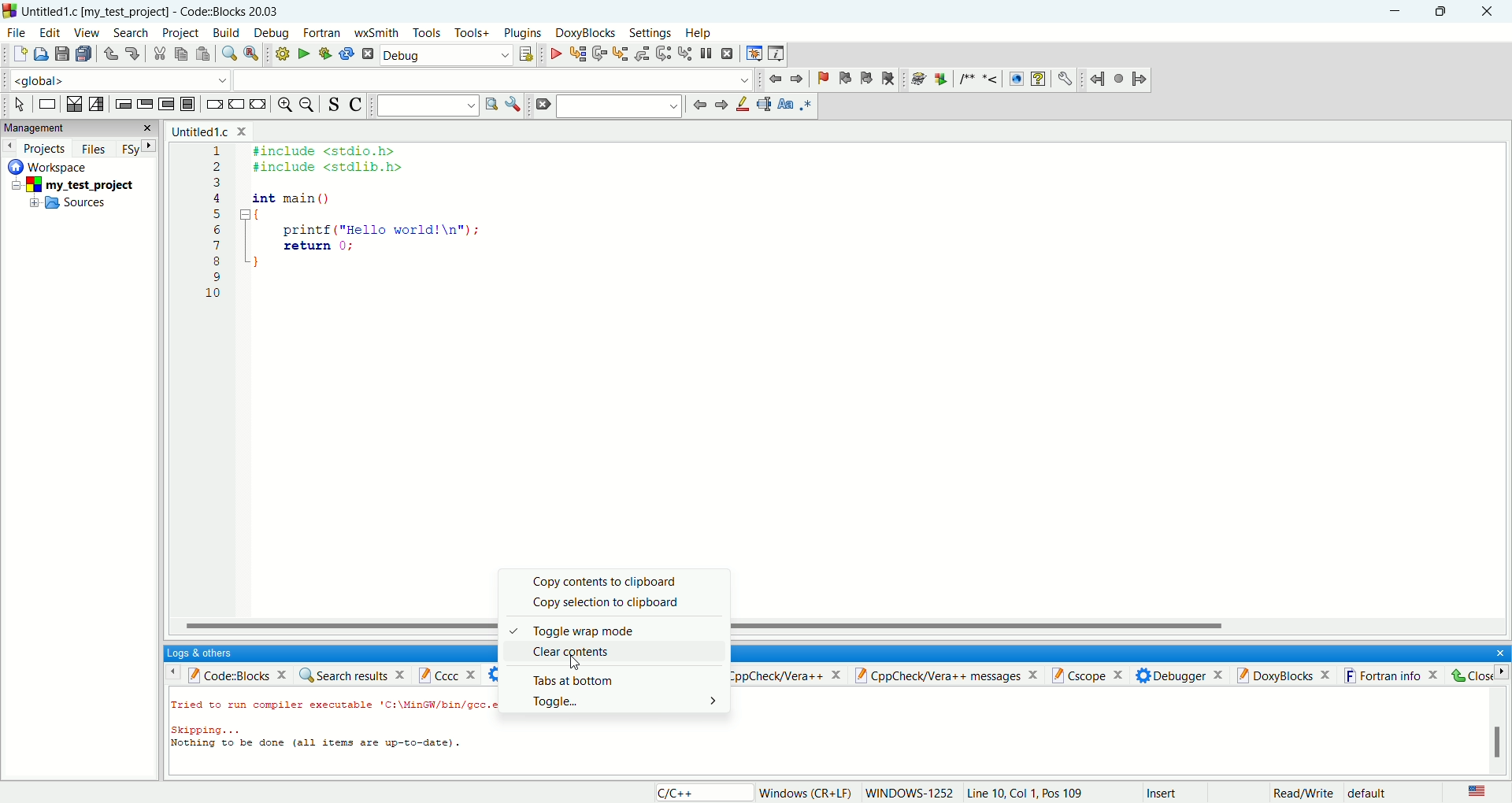 The height and width of the screenshot is (803, 1512). What do you see at coordinates (108, 54) in the screenshot?
I see `undo` at bounding box center [108, 54].